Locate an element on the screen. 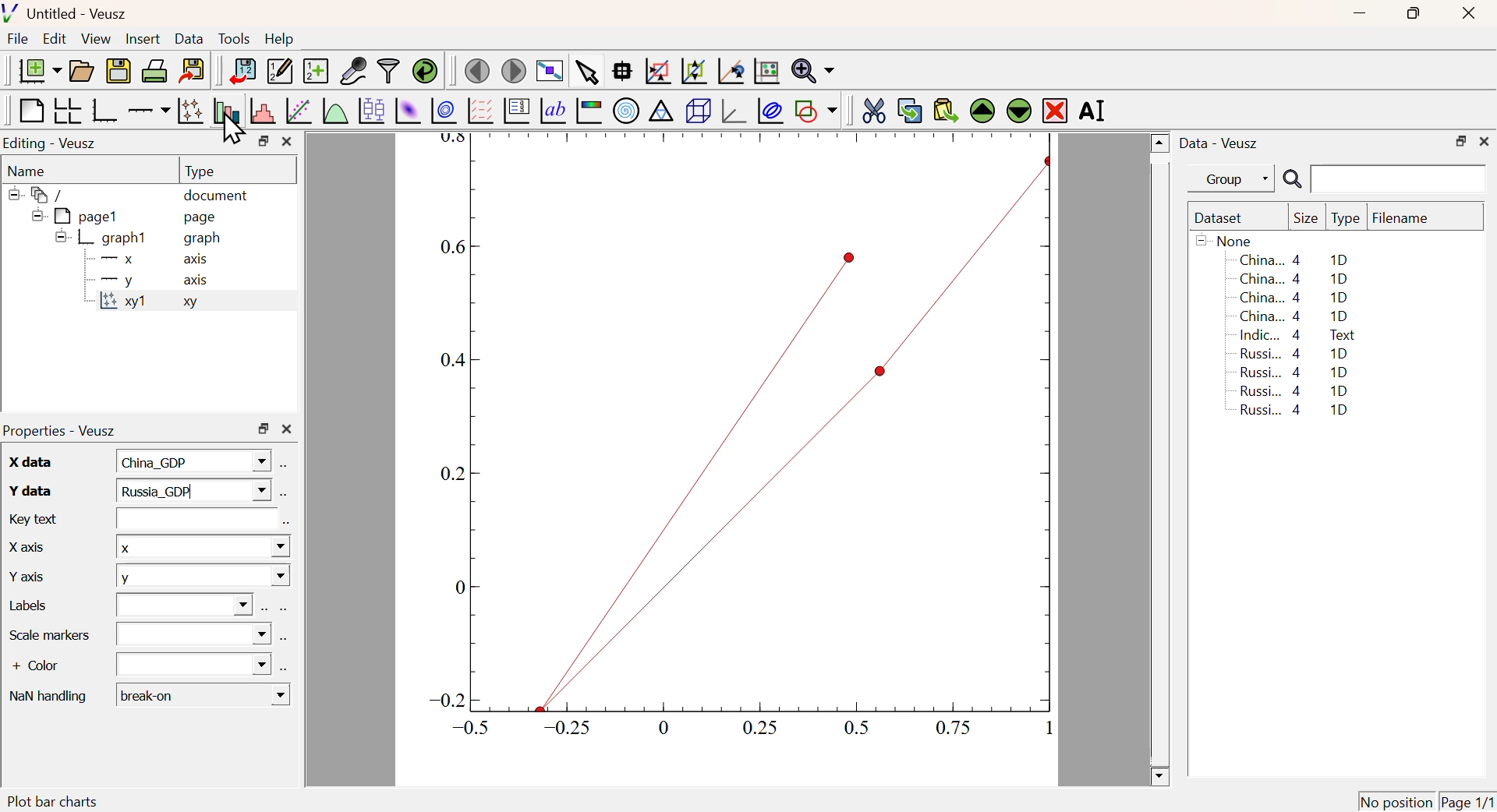  Base Graph is located at coordinates (103, 110).